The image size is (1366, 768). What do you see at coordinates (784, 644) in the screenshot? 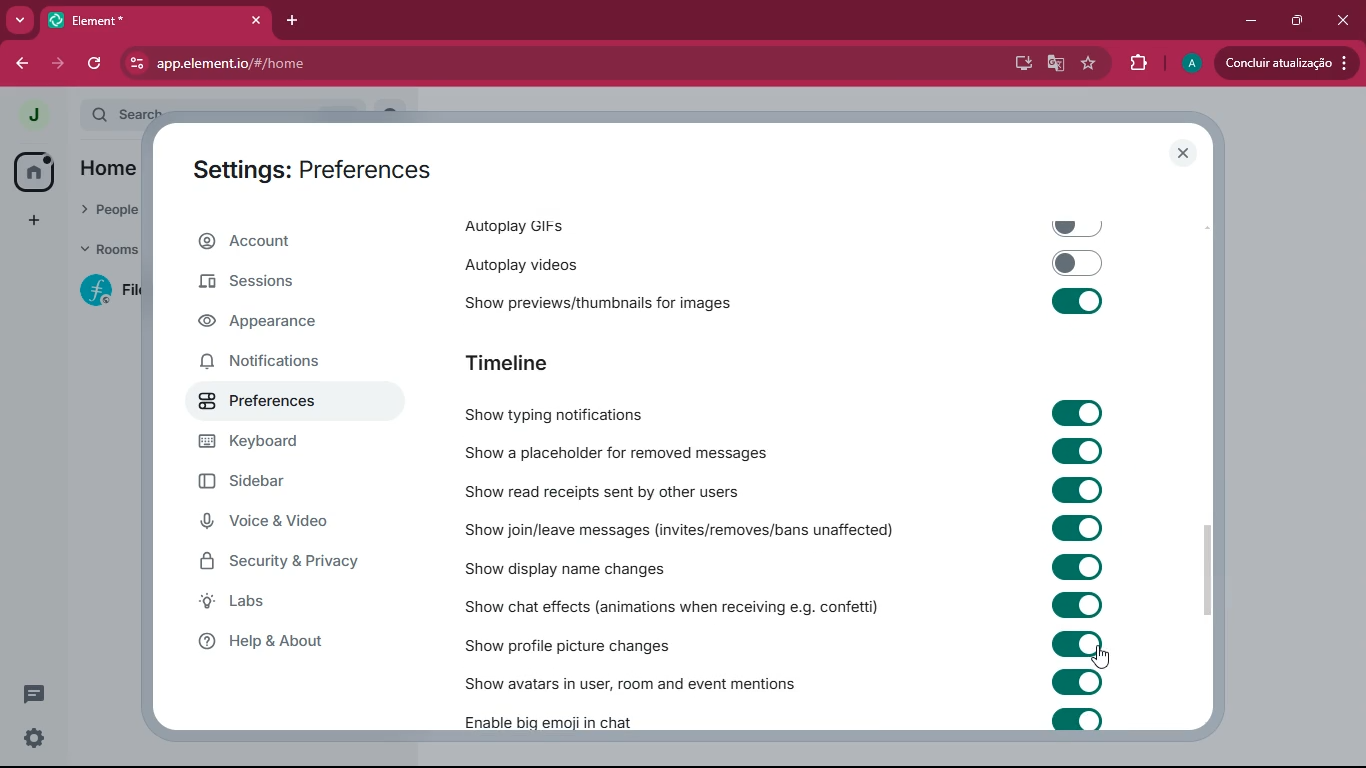
I see `Show profile picture changes ` at bounding box center [784, 644].